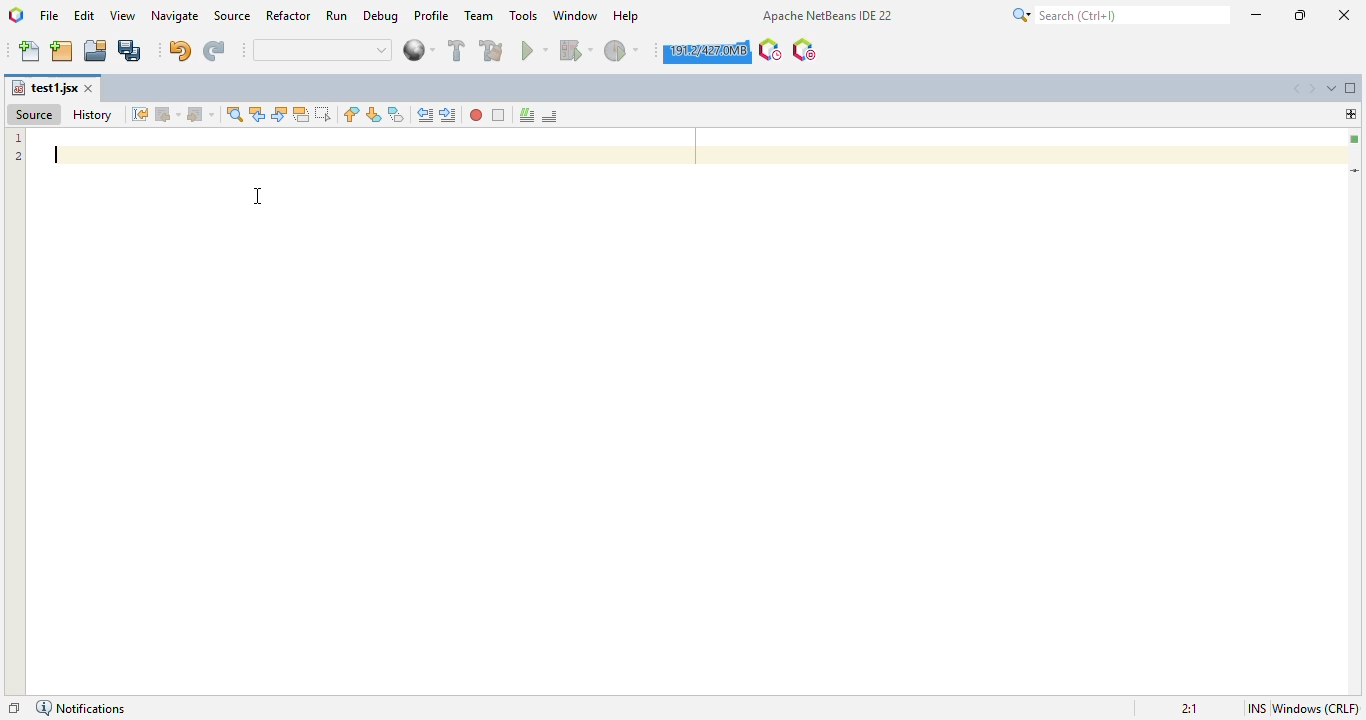  What do you see at coordinates (353, 114) in the screenshot?
I see `previous bookmark` at bounding box center [353, 114].